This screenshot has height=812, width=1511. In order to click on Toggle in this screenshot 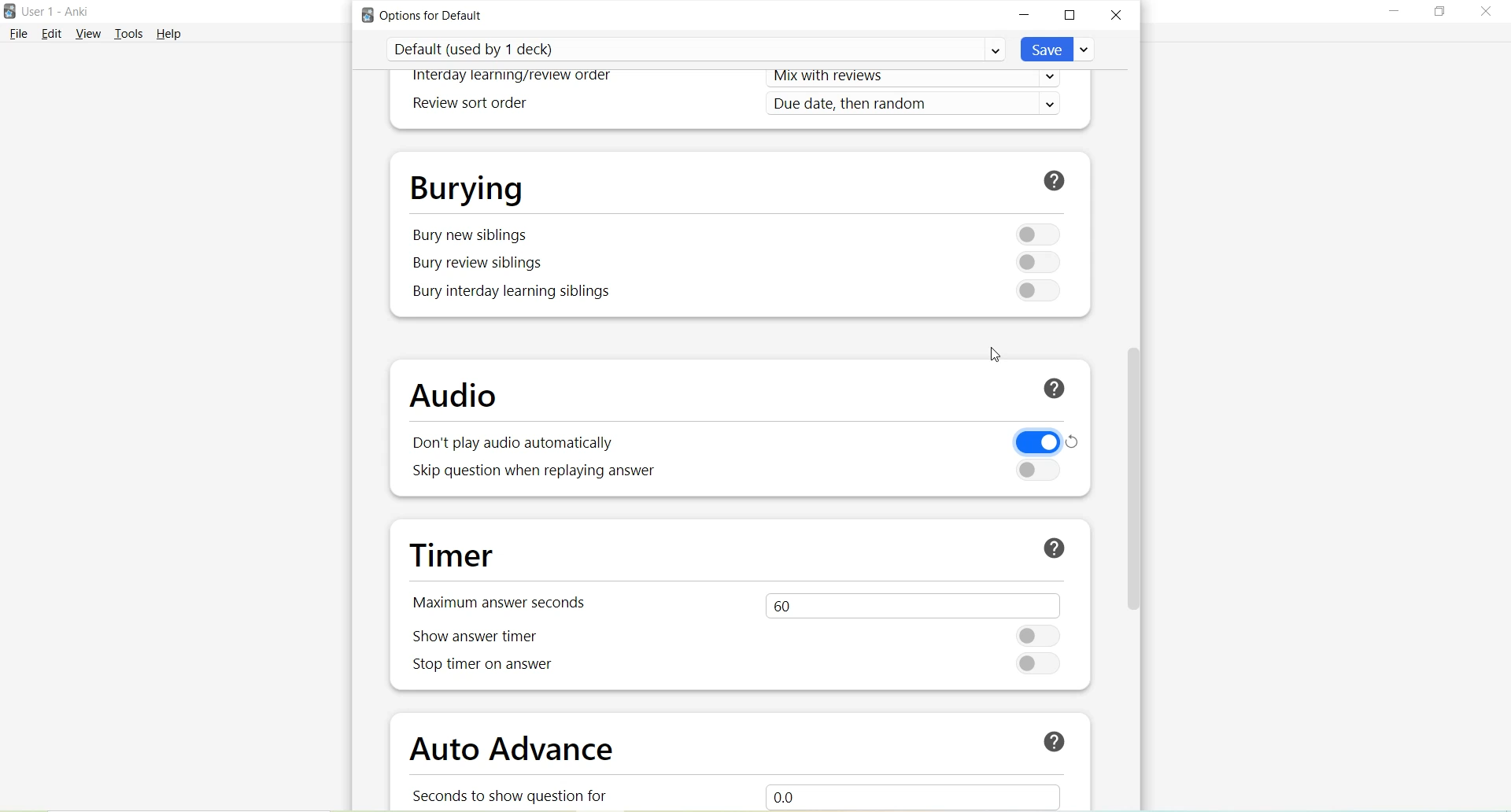, I will do `click(1031, 290)`.